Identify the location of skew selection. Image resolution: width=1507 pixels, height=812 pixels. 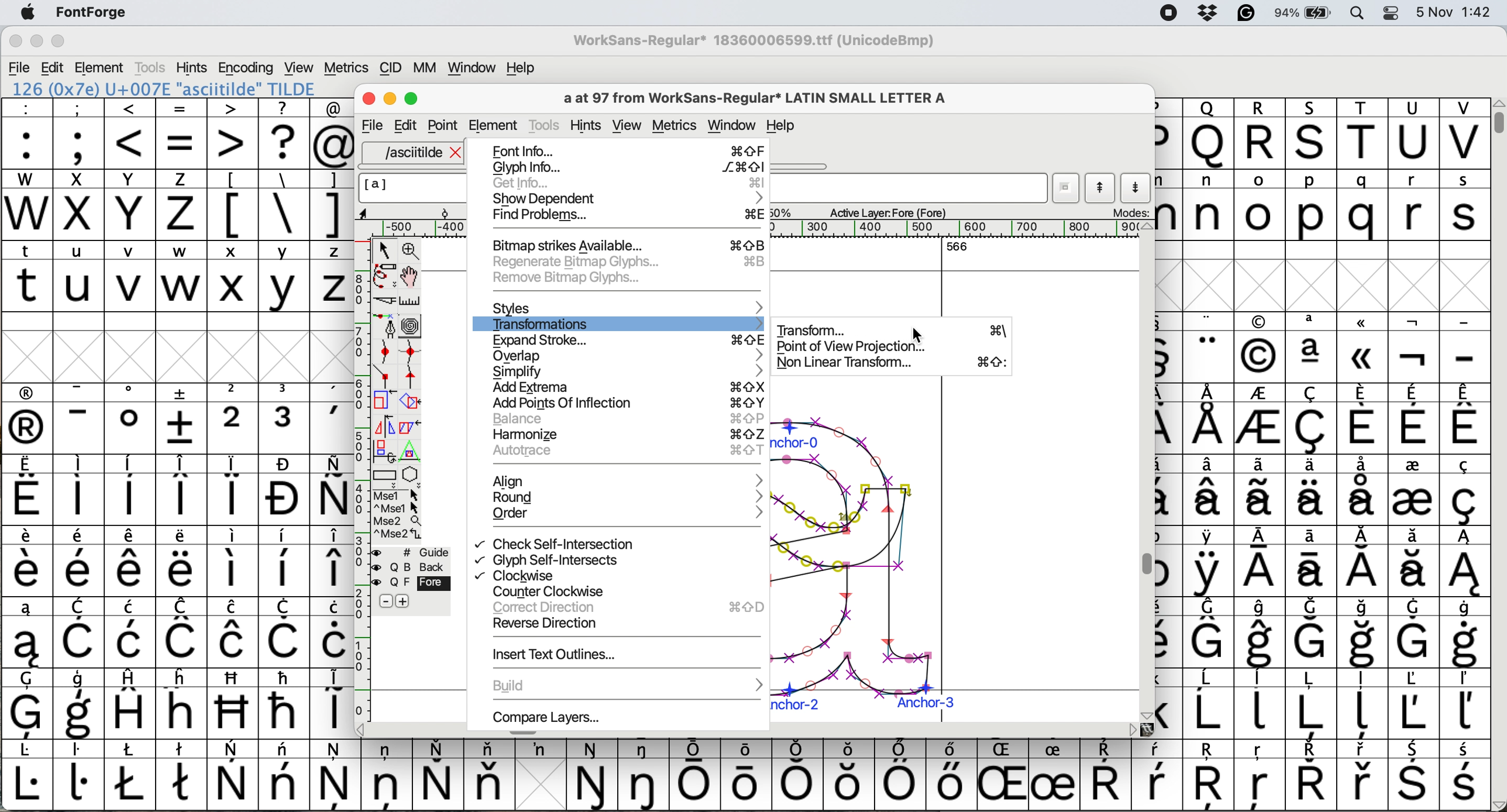
(413, 429).